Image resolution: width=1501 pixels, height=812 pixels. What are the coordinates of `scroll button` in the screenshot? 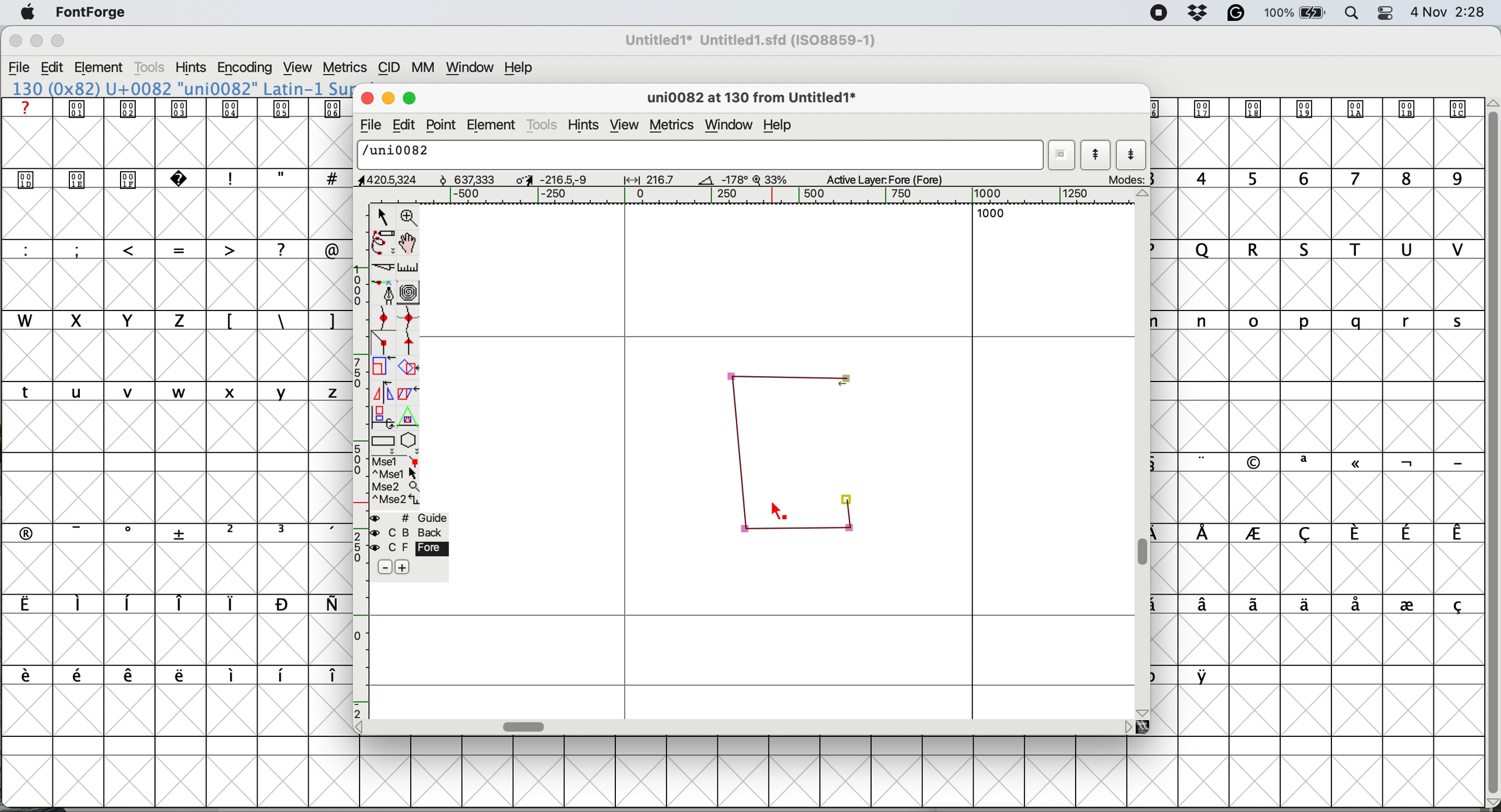 It's located at (1127, 726).